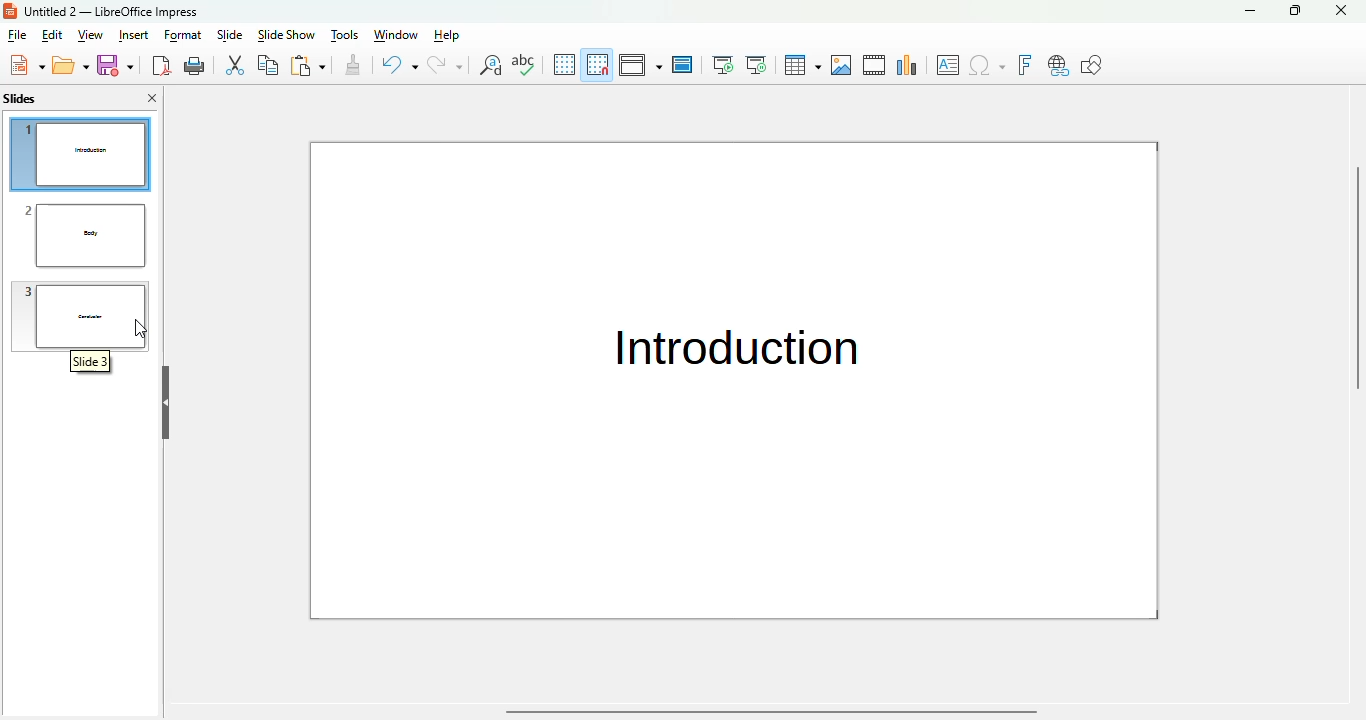 Image resolution: width=1366 pixels, height=720 pixels. Describe the element at coordinates (1294, 10) in the screenshot. I see `maximize` at that location.